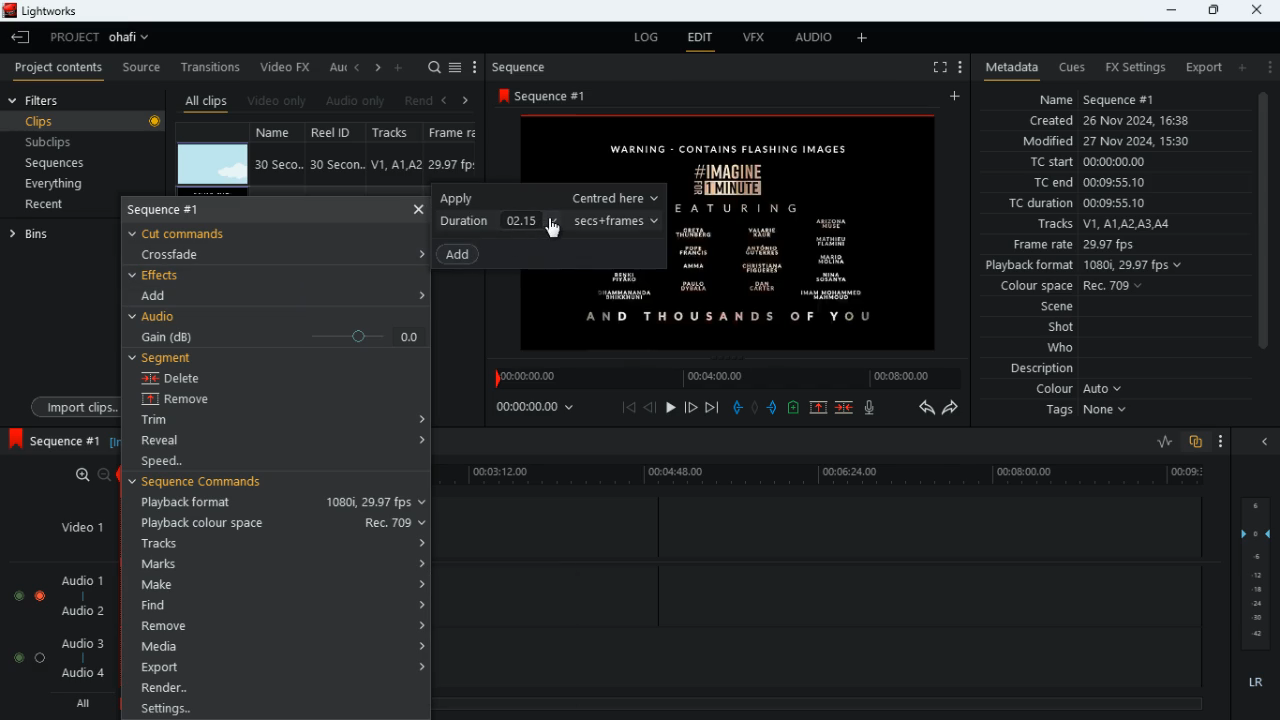 Image resolution: width=1280 pixels, height=720 pixels. What do you see at coordinates (417, 413) in the screenshot?
I see `Accordion` at bounding box center [417, 413].